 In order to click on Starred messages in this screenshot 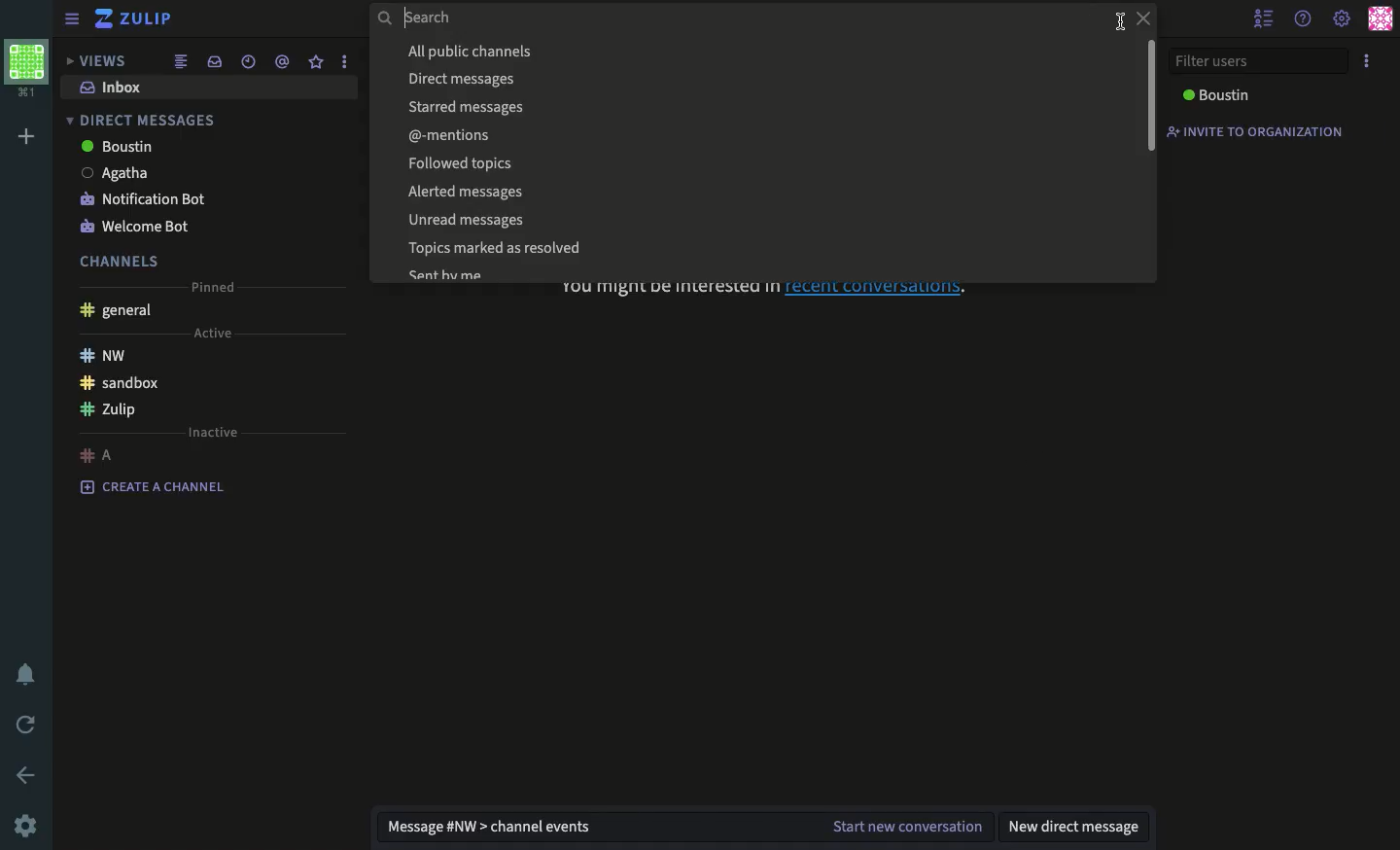, I will do `click(468, 107)`.